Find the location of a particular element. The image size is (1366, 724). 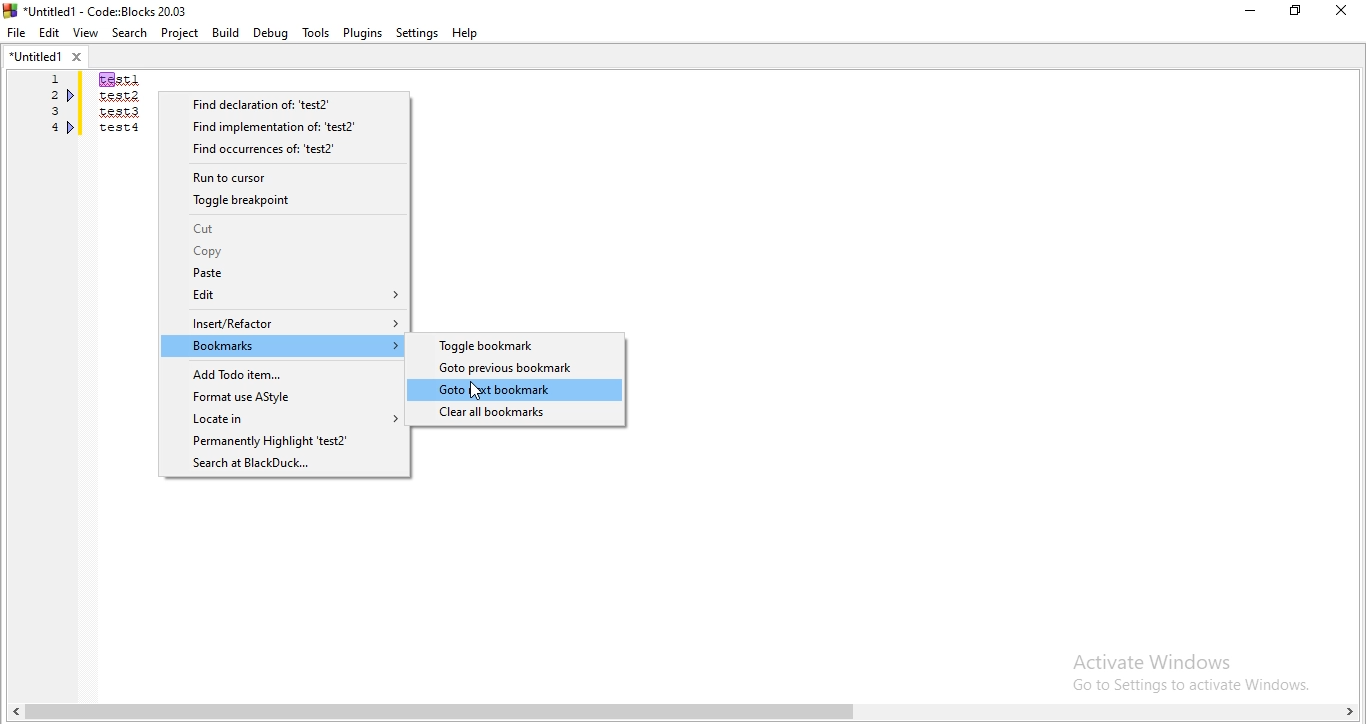

Permanently Highlight 'test2' is located at coordinates (282, 441).